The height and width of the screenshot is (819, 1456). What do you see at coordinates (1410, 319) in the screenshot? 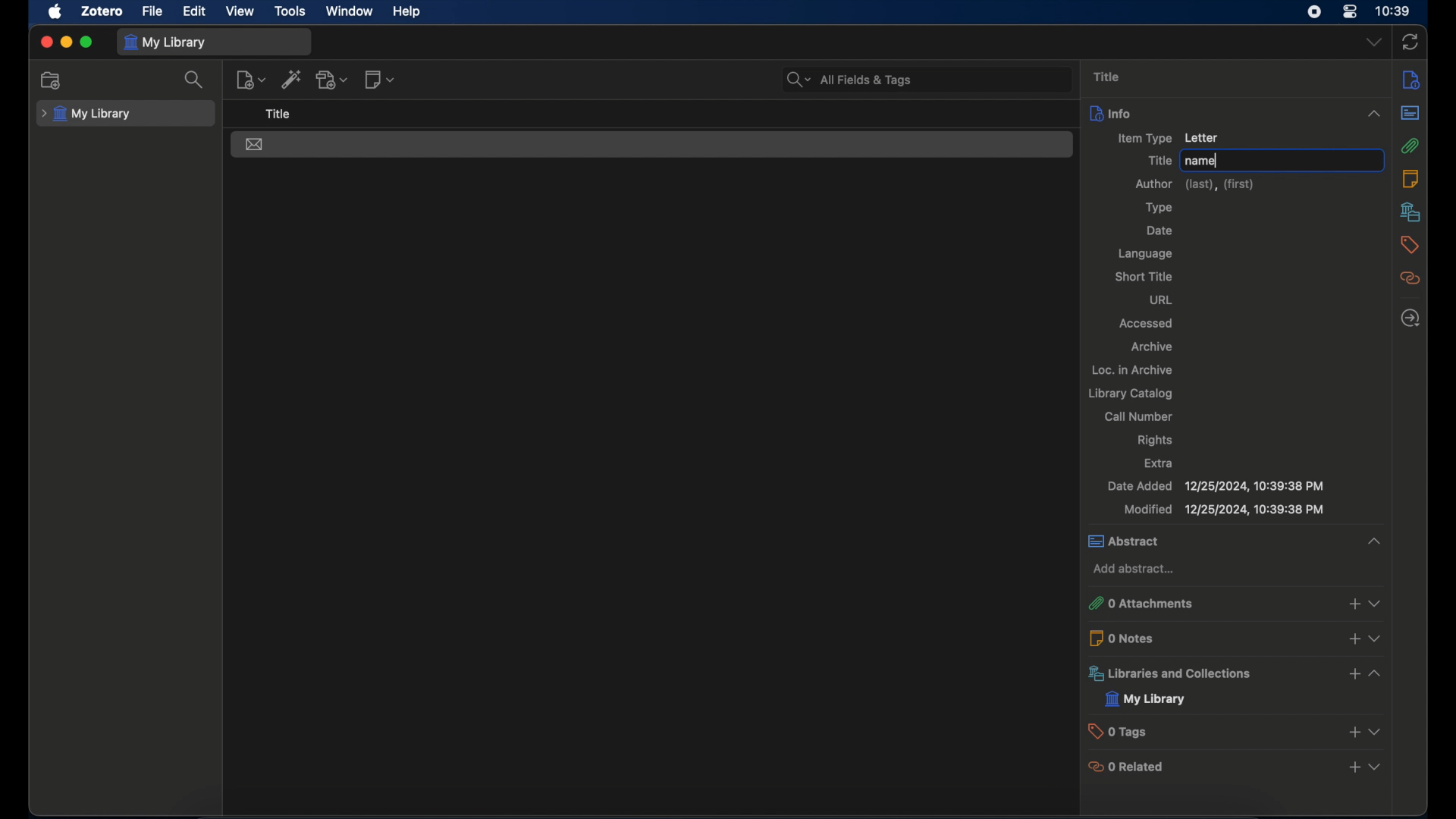
I see `locate` at bounding box center [1410, 319].